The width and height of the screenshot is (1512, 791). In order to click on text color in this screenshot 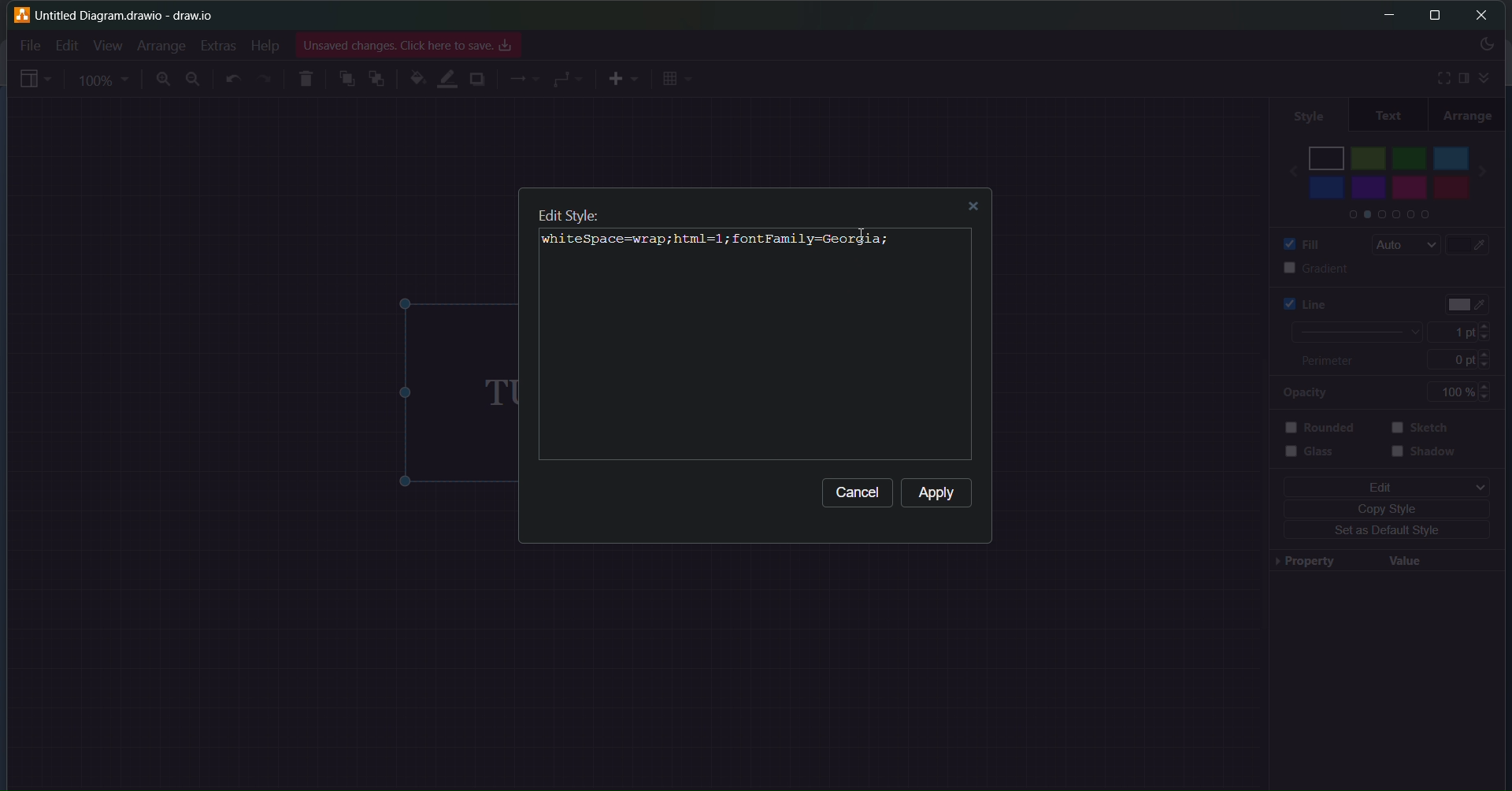, I will do `click(1469, 300)`.